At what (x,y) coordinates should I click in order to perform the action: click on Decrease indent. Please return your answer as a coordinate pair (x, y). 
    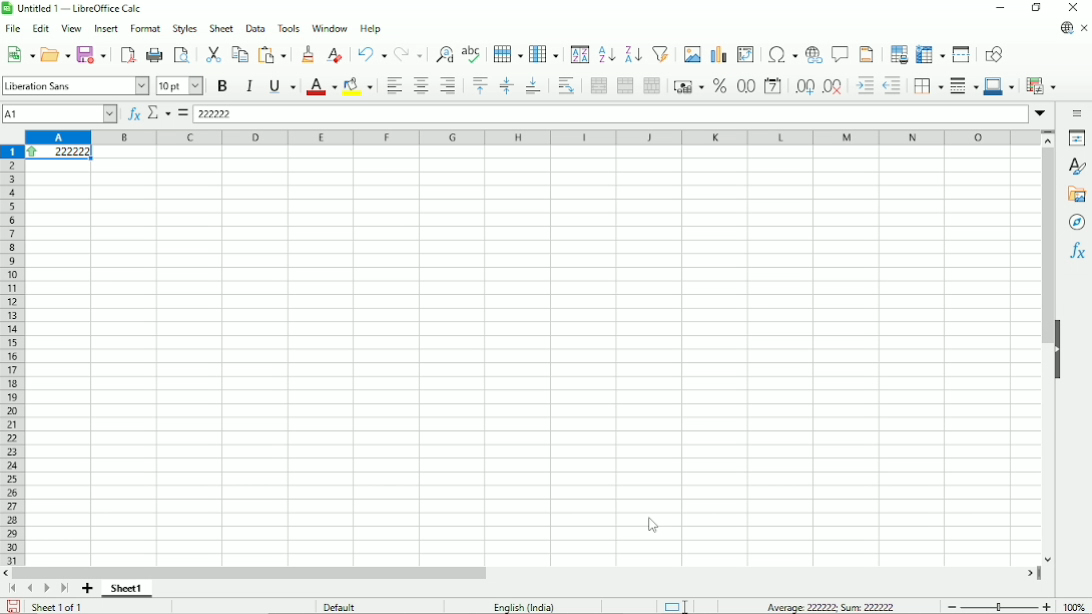
    Looking at the image, I should click on (894, 86).